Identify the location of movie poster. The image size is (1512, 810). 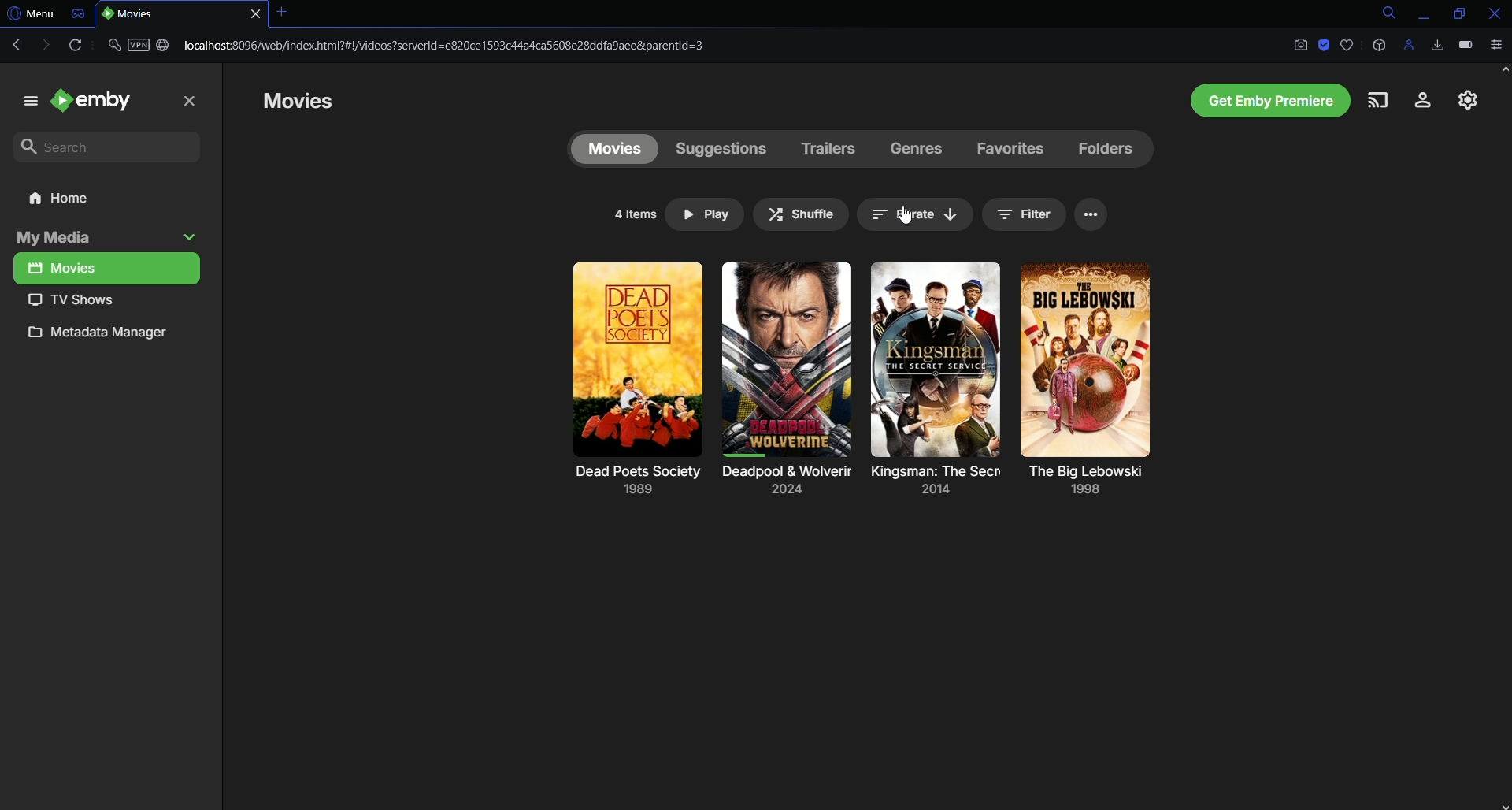
(935, 359).